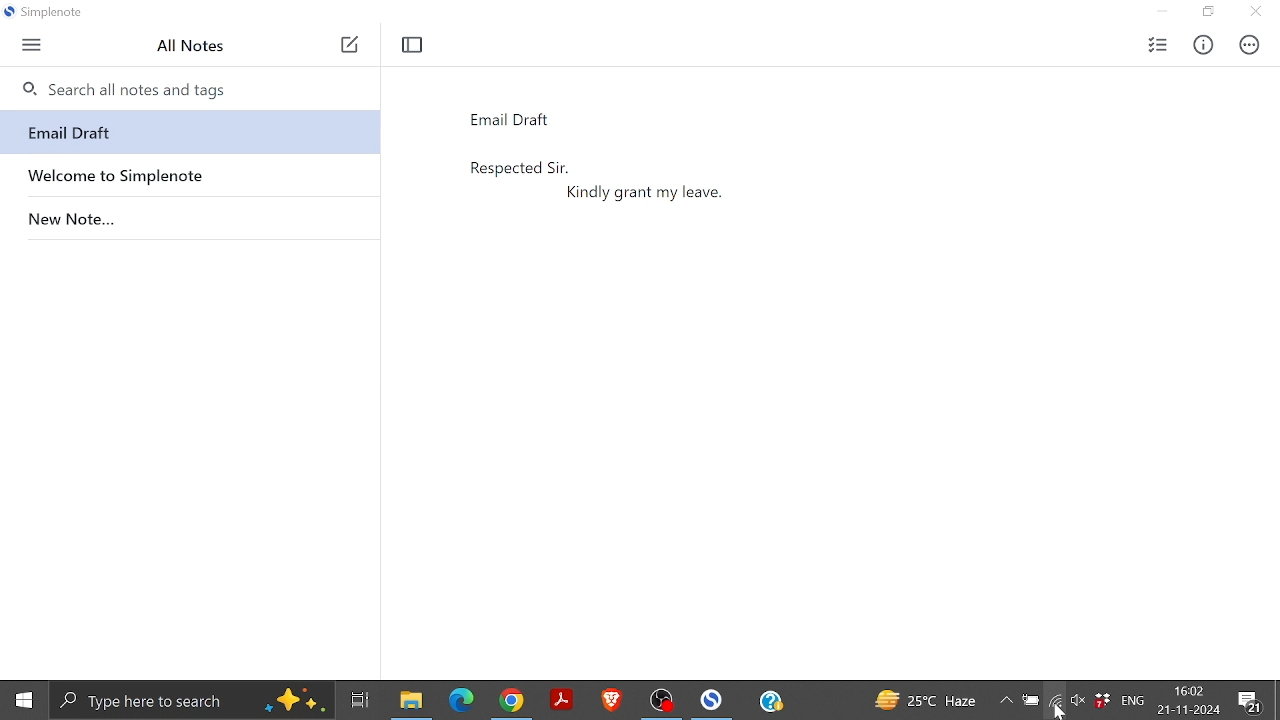  What do you see at coordinates (563, 700) in the screenshot?
I see `Adobe reader` at bounding box center [563, 700].